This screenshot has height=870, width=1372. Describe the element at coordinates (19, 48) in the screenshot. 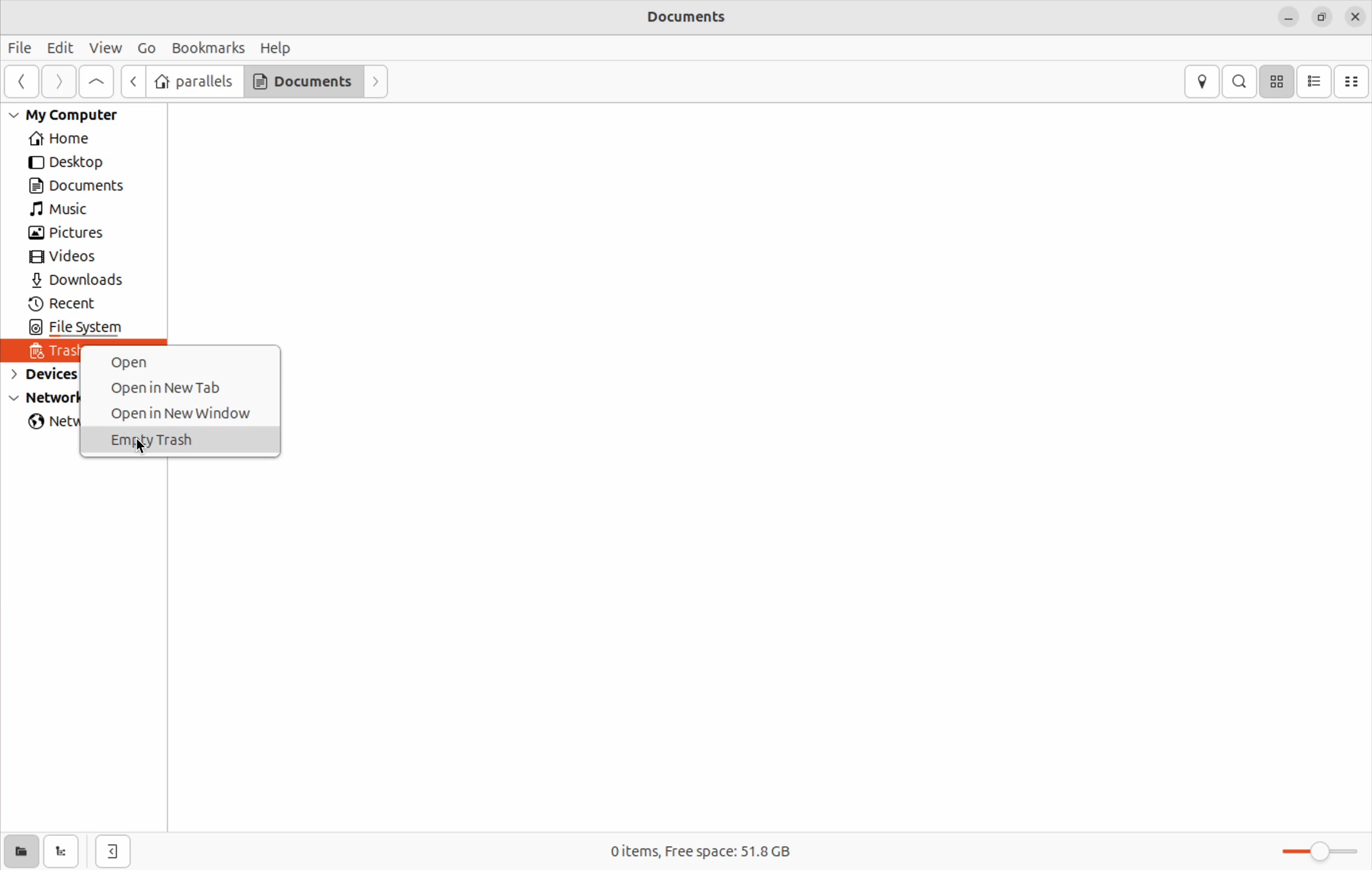

I see `File` at that location.